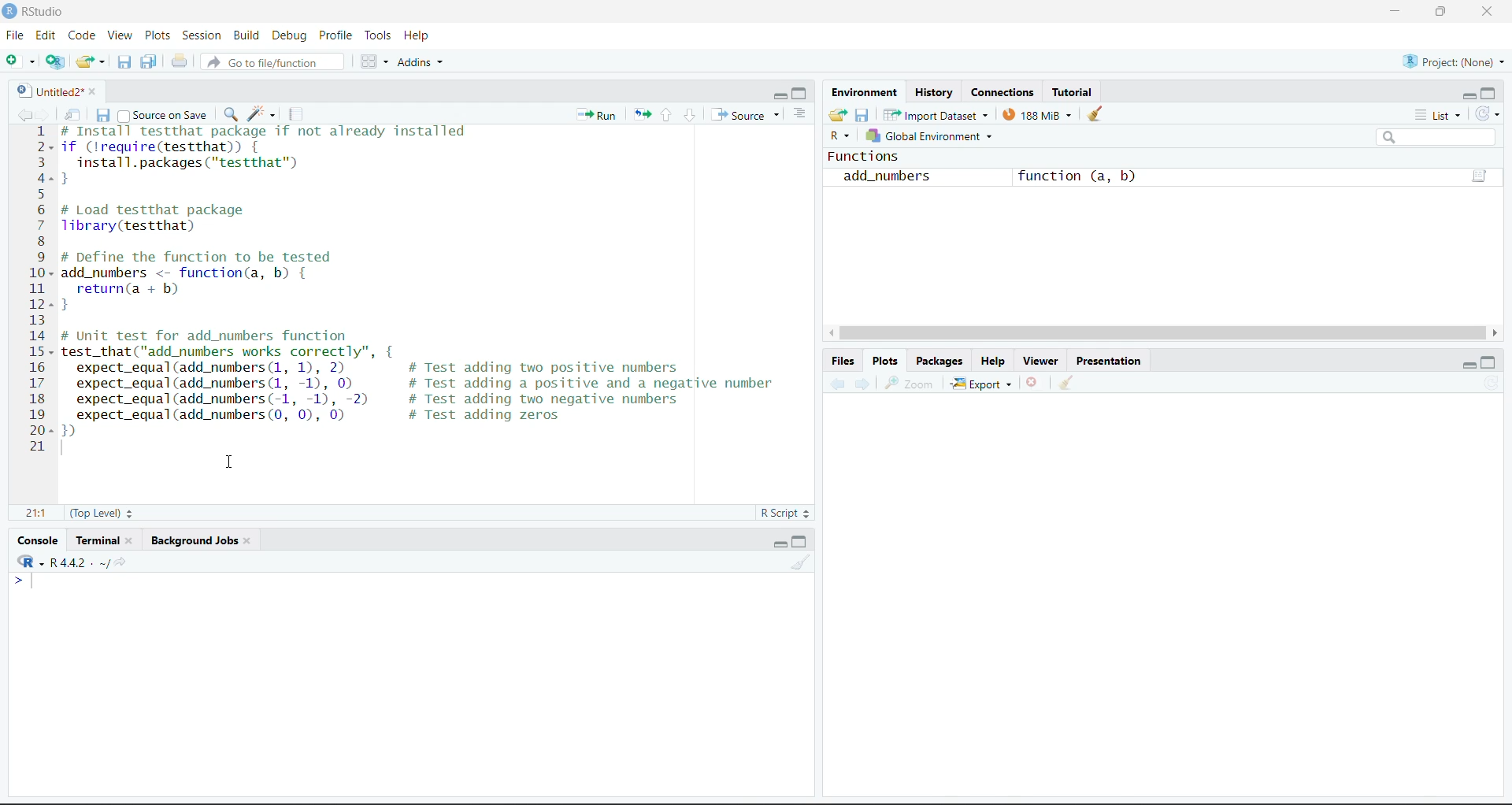  What do you see at coordinates (99, 540) in the screenshot?
I see `Terminal` at bounding box center [99, 540].